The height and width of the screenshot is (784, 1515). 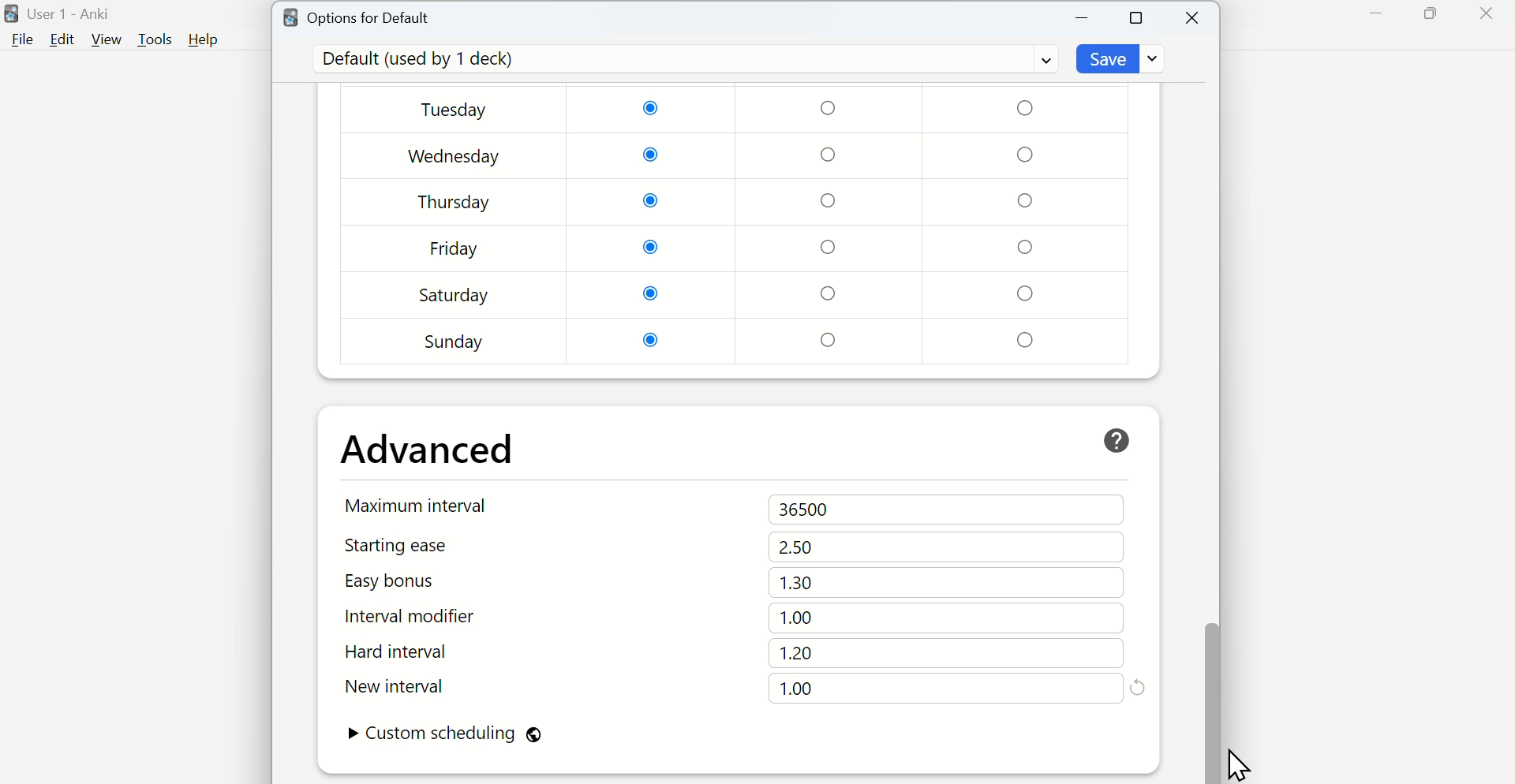 I want to click on User 1 - Anki, so click(x=61, y=14).